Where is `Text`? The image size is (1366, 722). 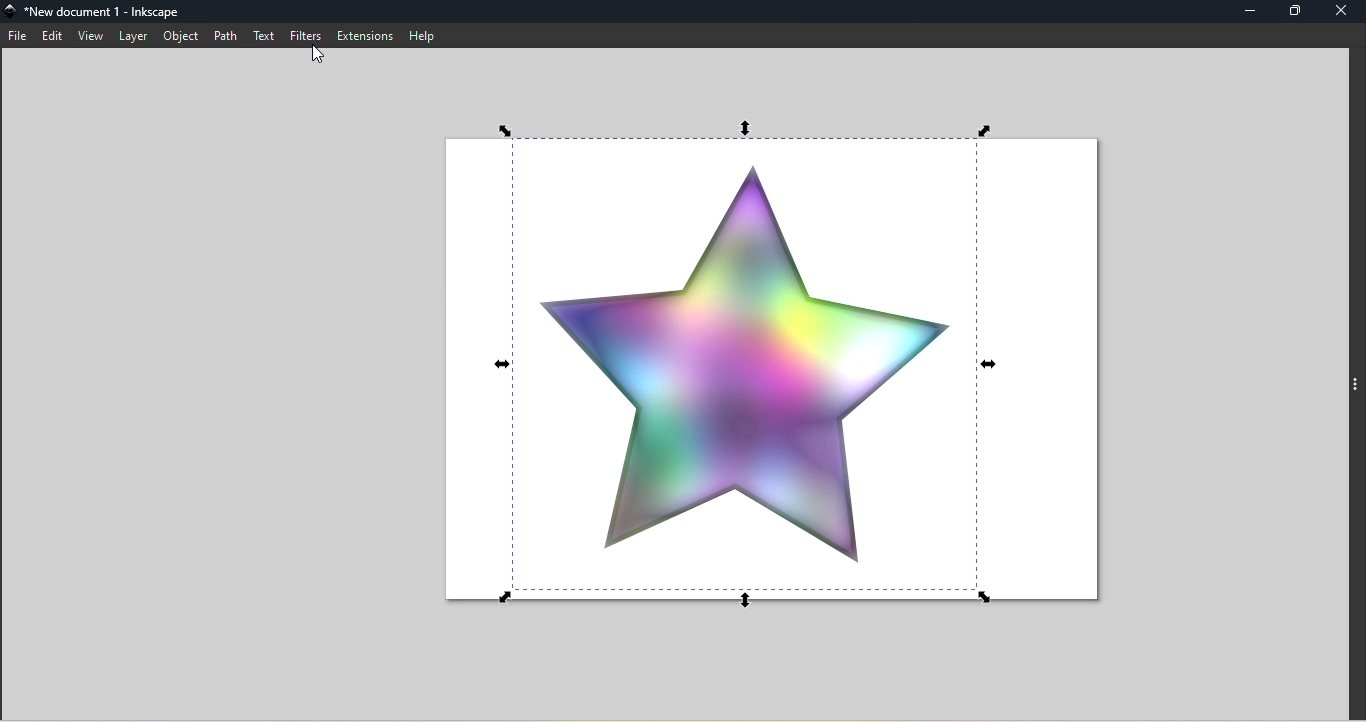 Text is located at coordinates (261, 36).